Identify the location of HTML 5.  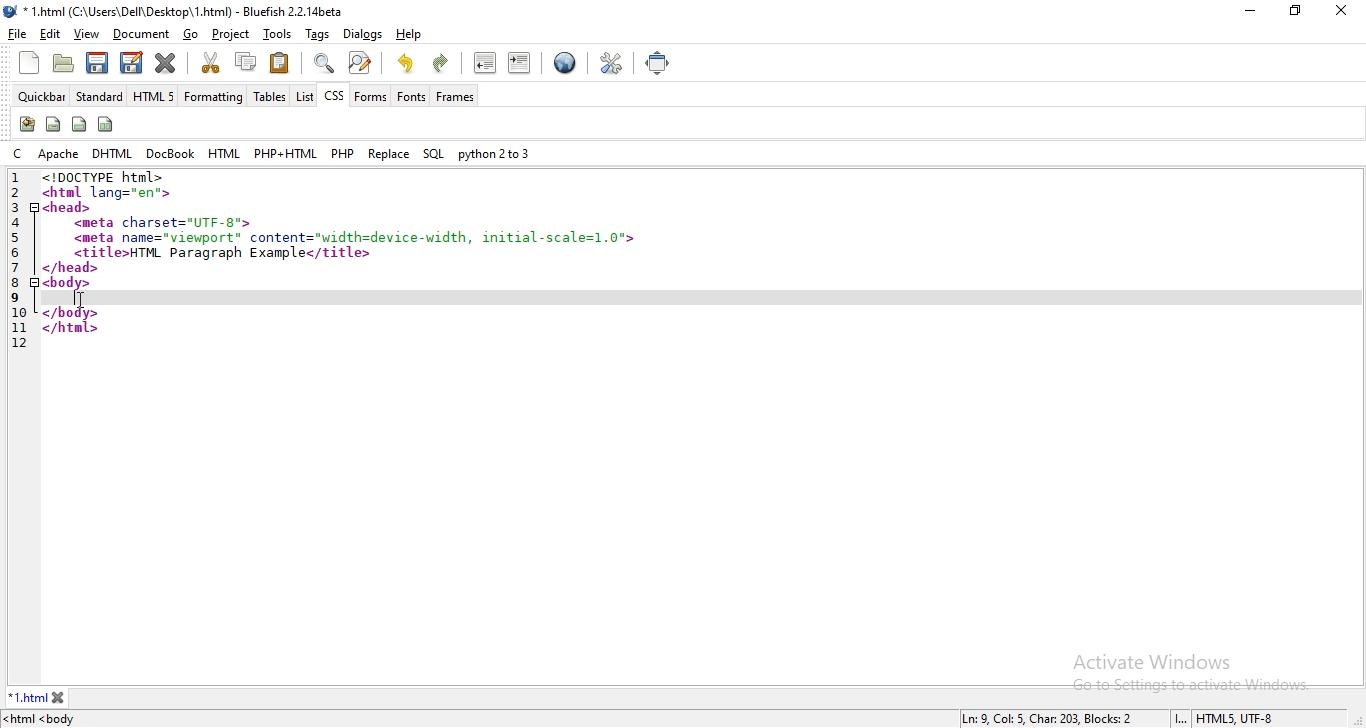
(153, 94).